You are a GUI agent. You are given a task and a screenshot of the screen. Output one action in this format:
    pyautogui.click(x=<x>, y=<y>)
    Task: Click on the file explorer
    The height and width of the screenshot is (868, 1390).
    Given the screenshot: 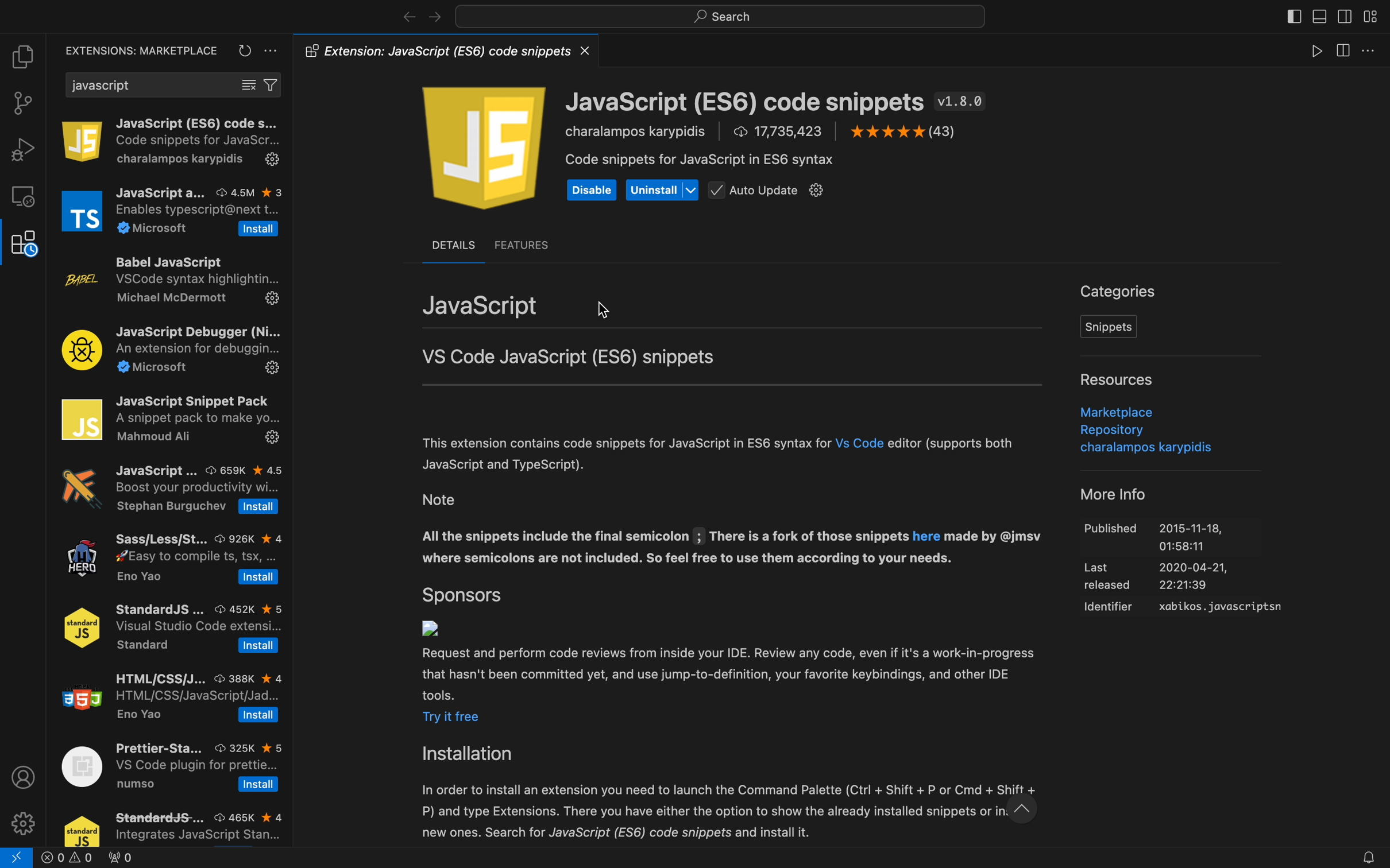 What is the action you would take?
    pyautogui.click(x=25, y=56)
    